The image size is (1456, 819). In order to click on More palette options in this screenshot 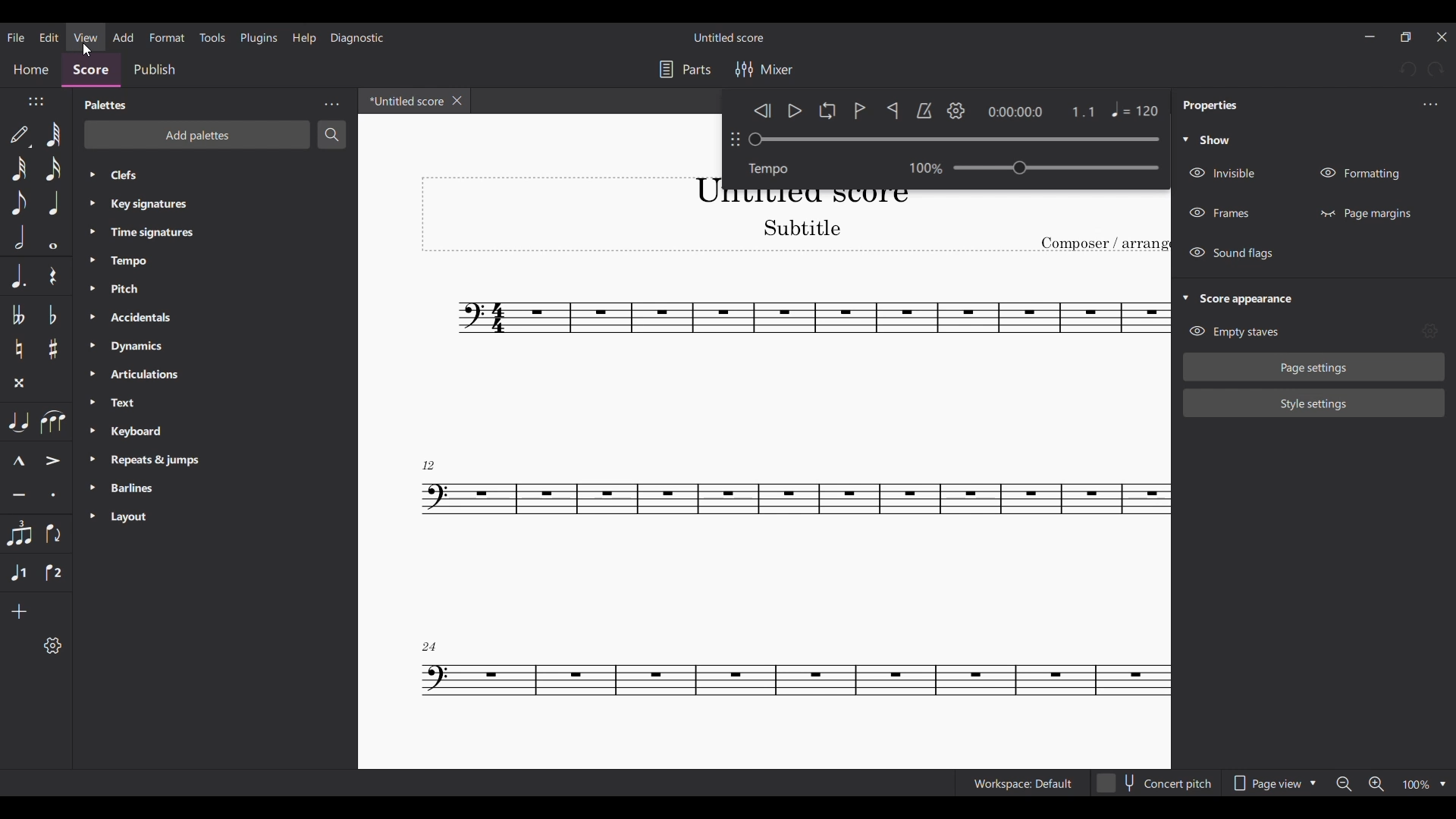, I will do `click(331, 105)`.